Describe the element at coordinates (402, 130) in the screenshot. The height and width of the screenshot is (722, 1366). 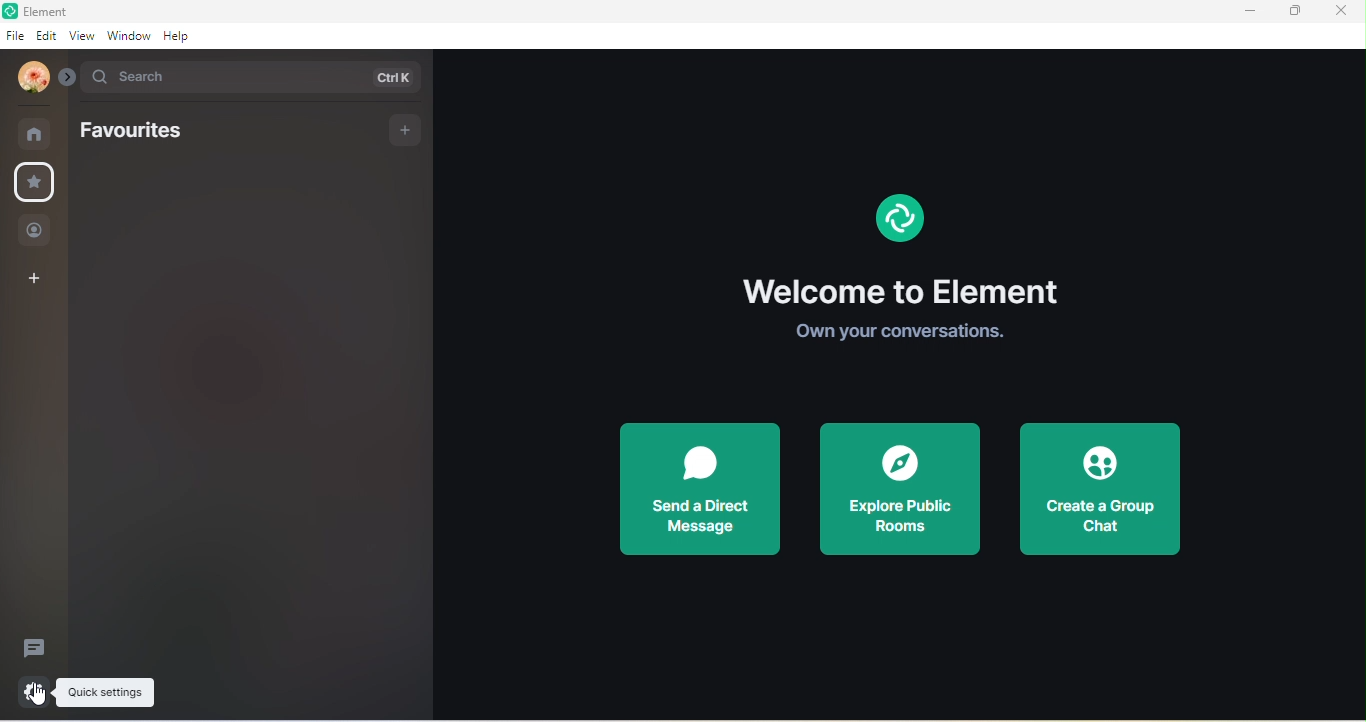
I see `add` at that location.